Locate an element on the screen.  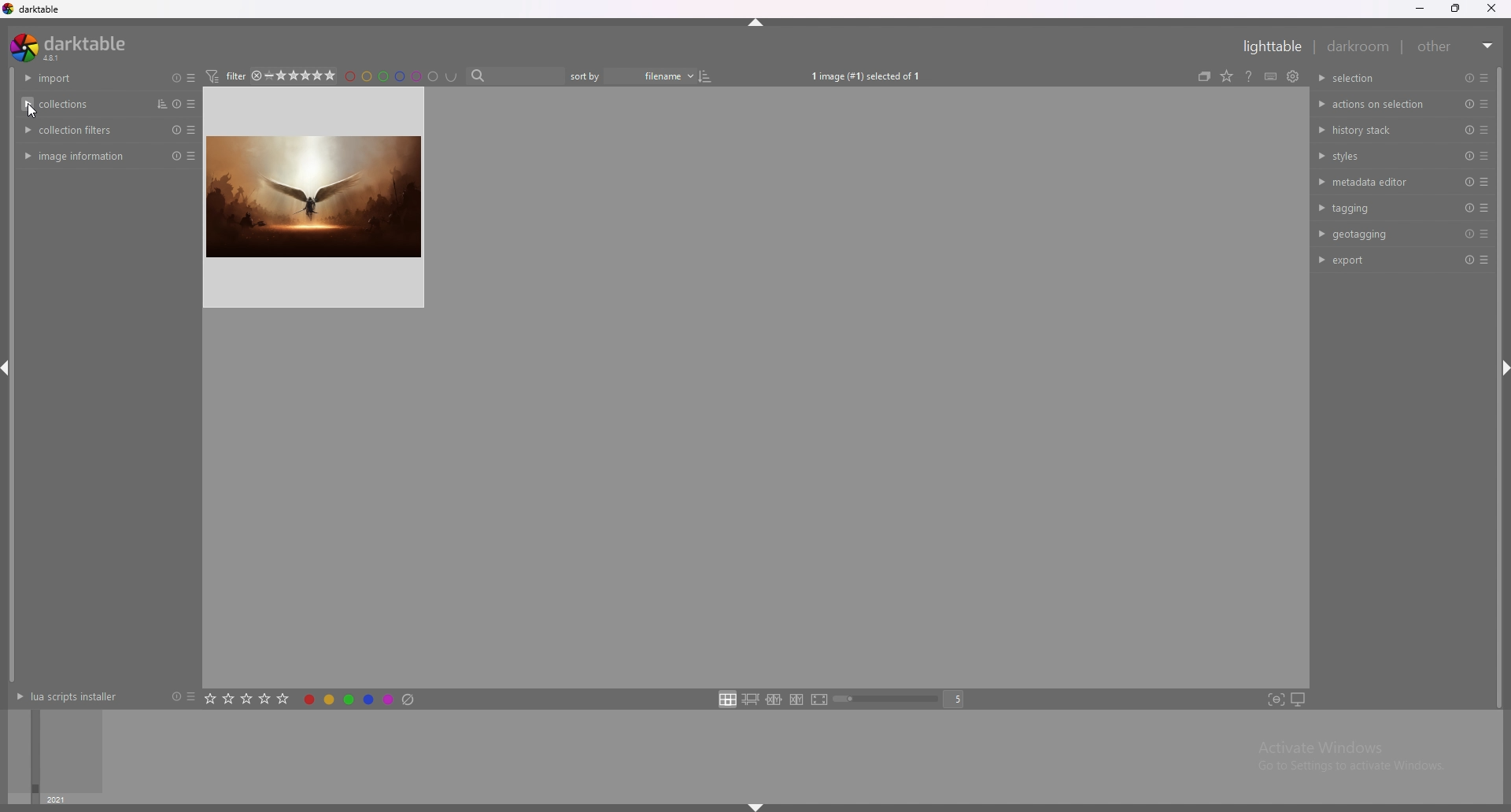
IMAGE is located at coordinates (308, 206).